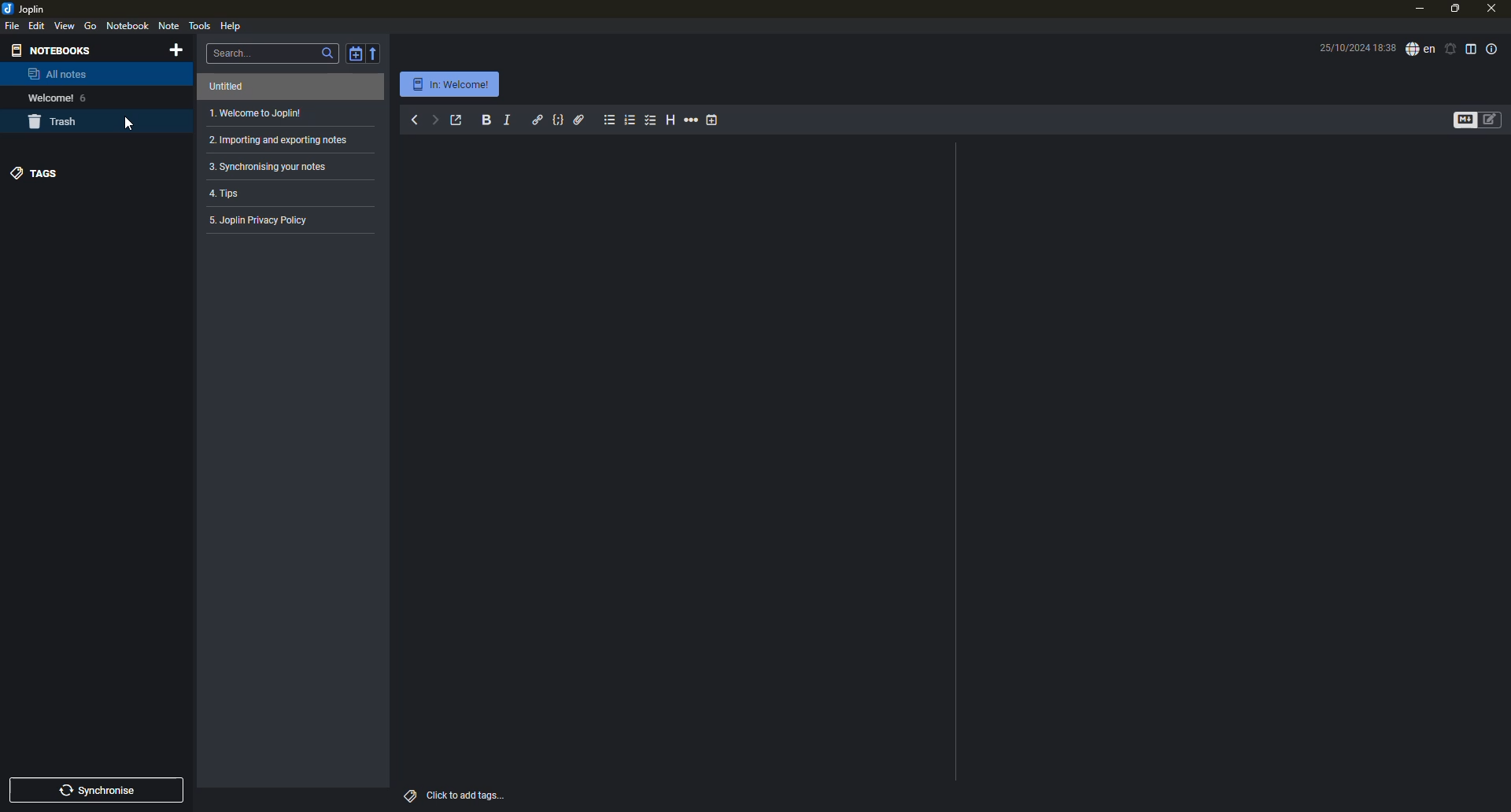  What do you see at coordinates (718, 120) in the screenshot?
I see `insert time` at bounding box center [718, 120].